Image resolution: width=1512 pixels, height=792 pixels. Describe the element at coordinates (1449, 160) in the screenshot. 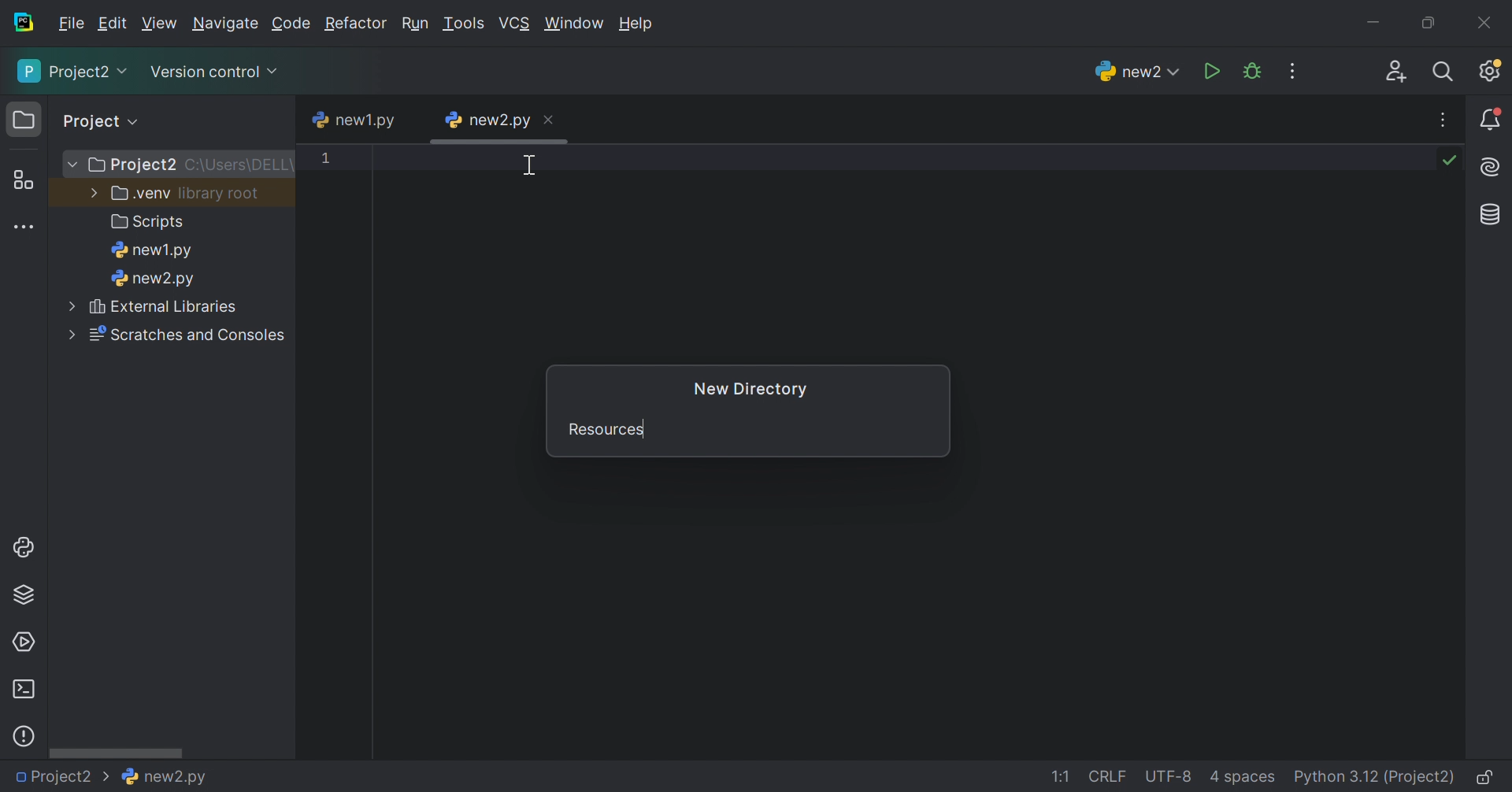

I see `No problems found` at that location.